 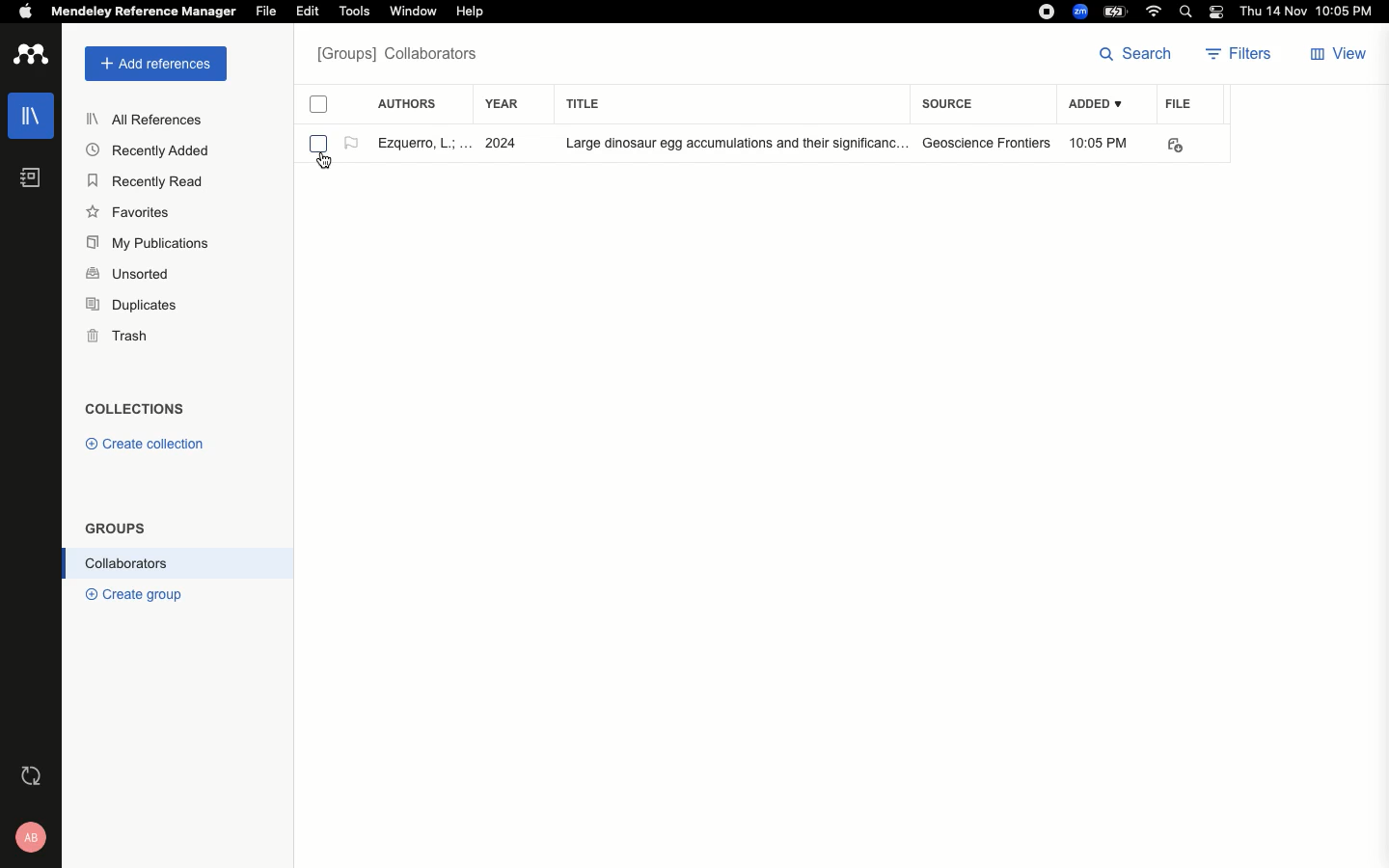 I want to click on Source, so click(x=953, y=103).